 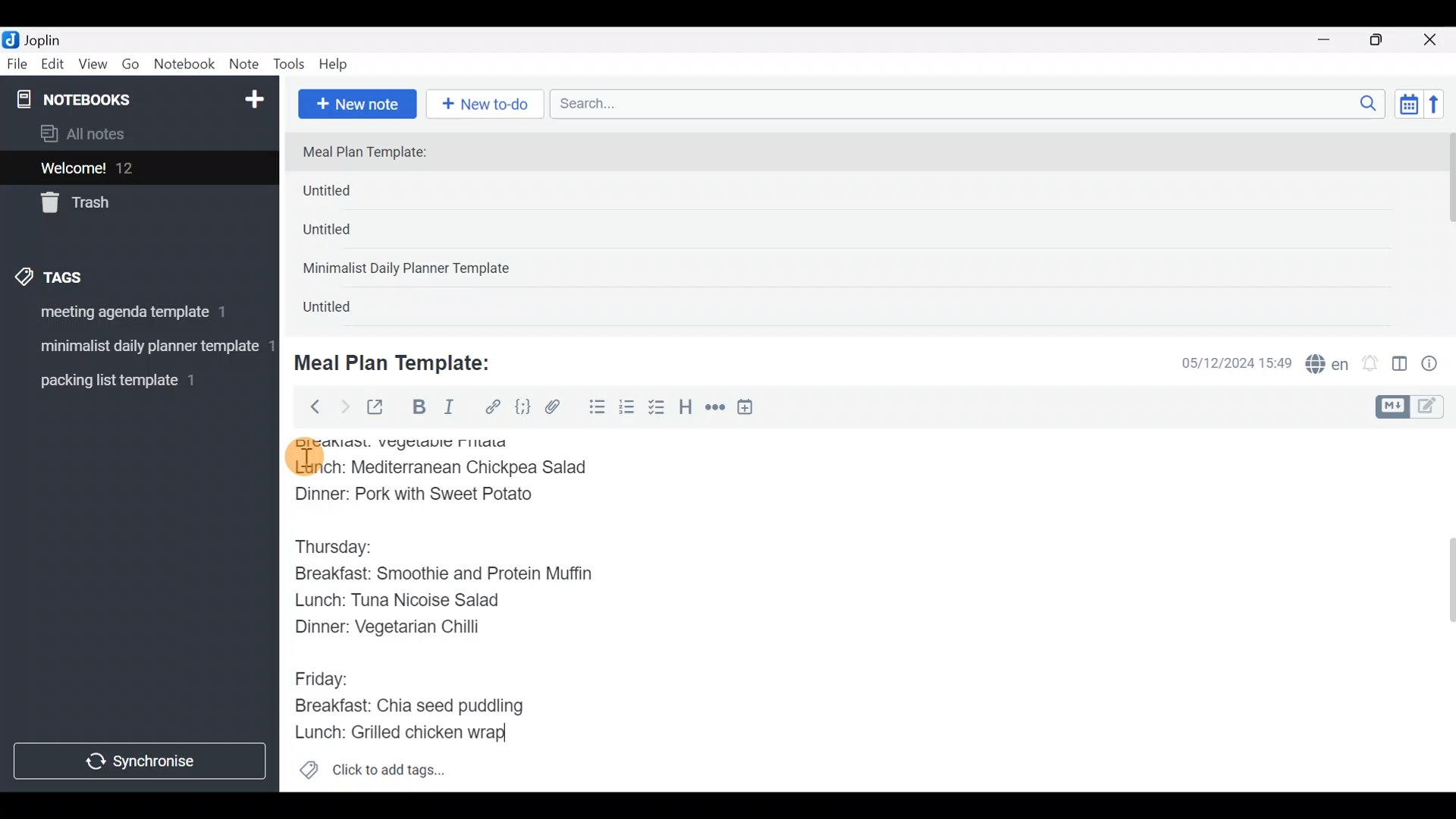 I want to click on Dinner: Vegetarian Chilli, so click(x=401, y=630).